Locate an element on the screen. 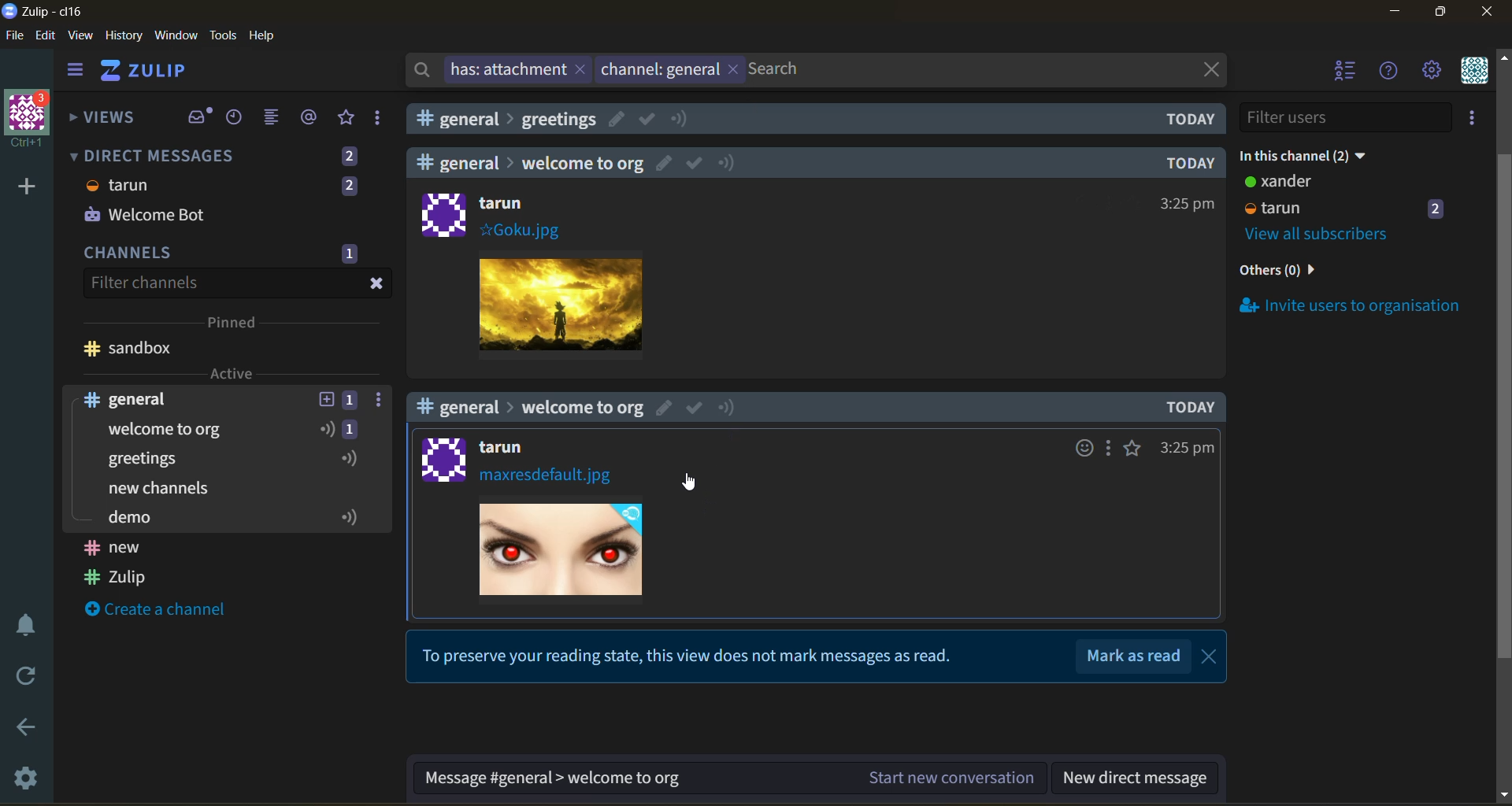 The height and width of the screenshot is (806, 1512). notify is located at coordinates (730, 408).